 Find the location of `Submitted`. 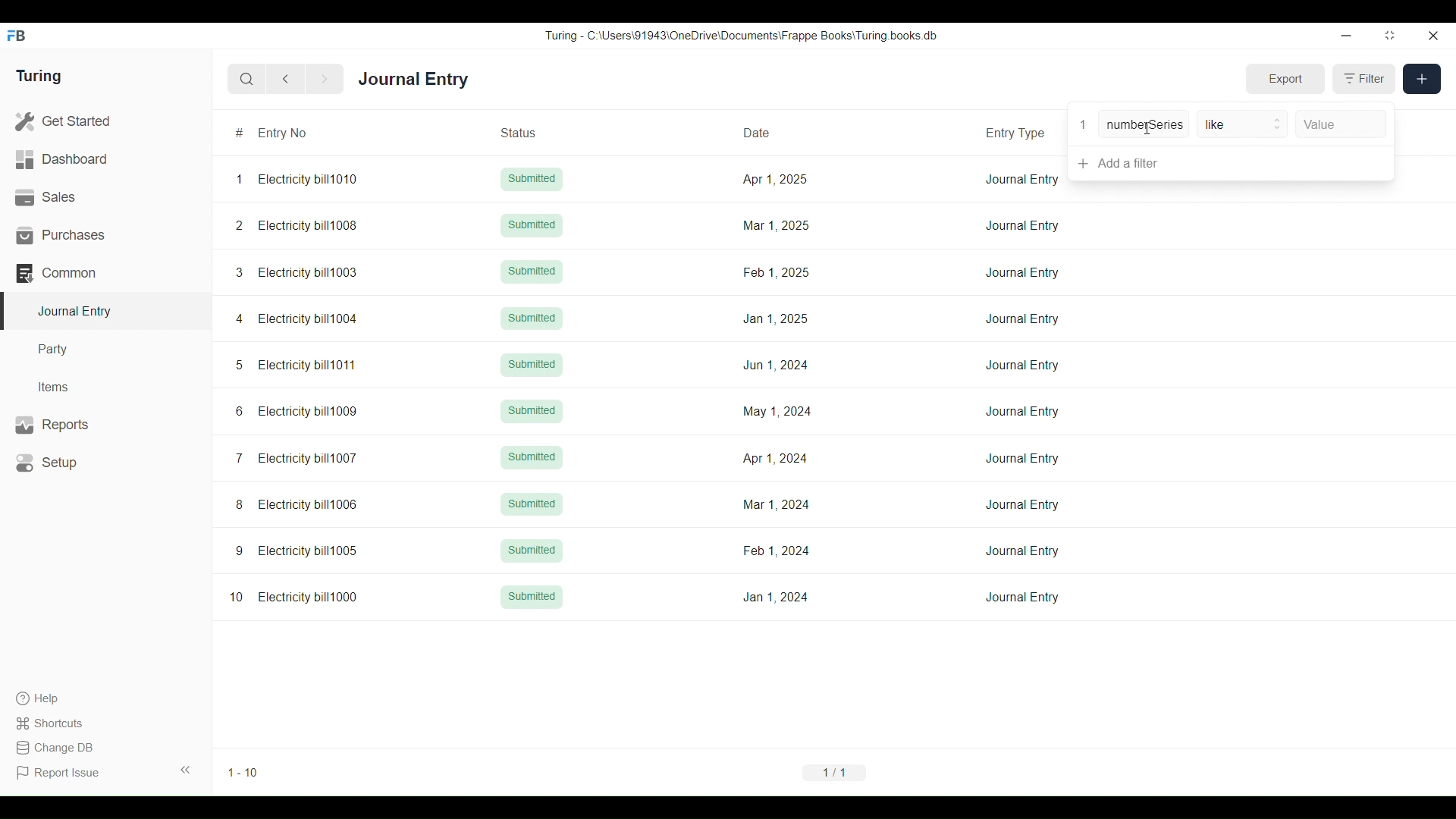

Submitted is located at coordinates (532, 365).